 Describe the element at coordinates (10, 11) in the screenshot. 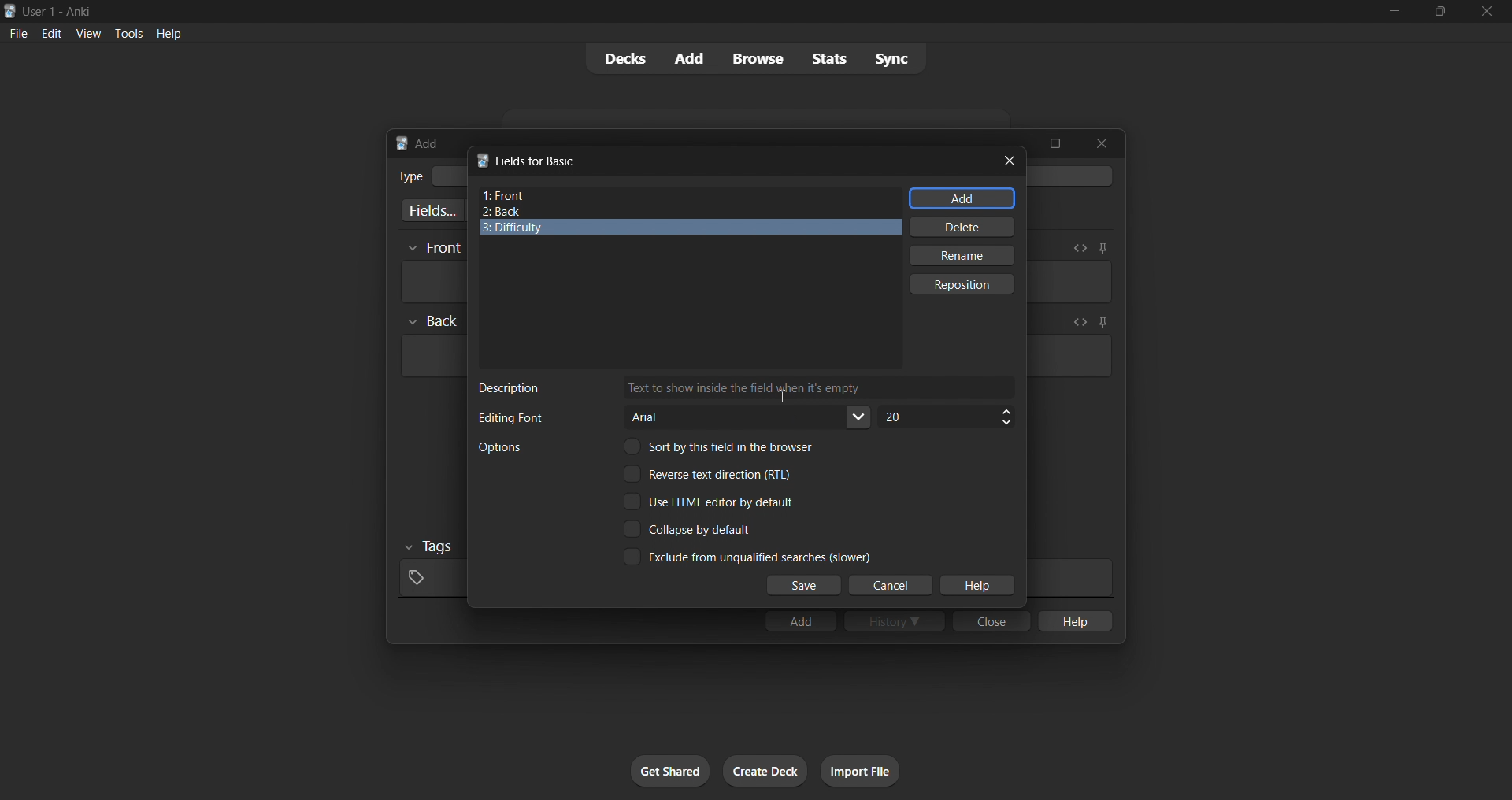

I see `Anki logo` at that location.